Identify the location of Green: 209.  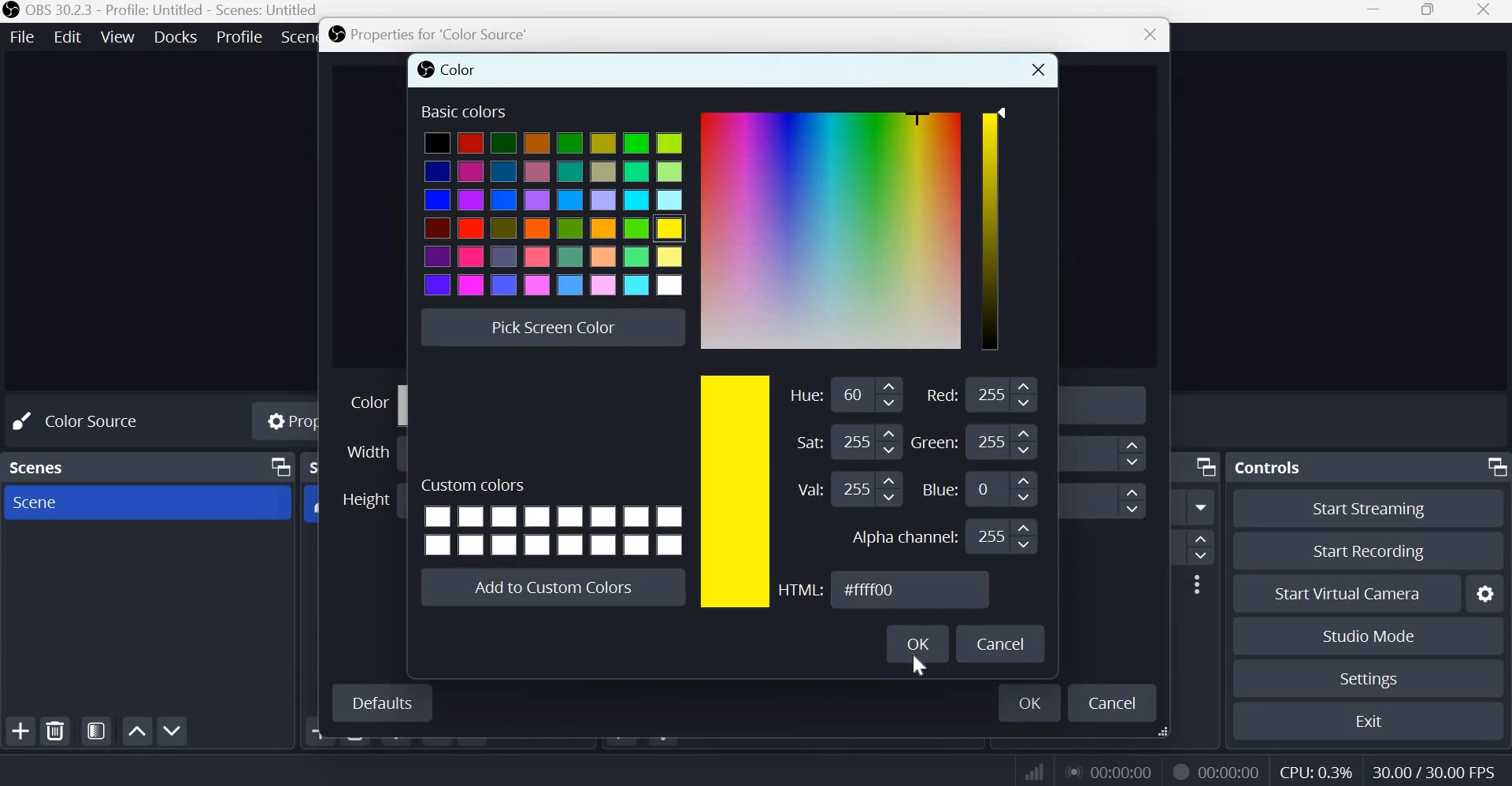
(934, 443).